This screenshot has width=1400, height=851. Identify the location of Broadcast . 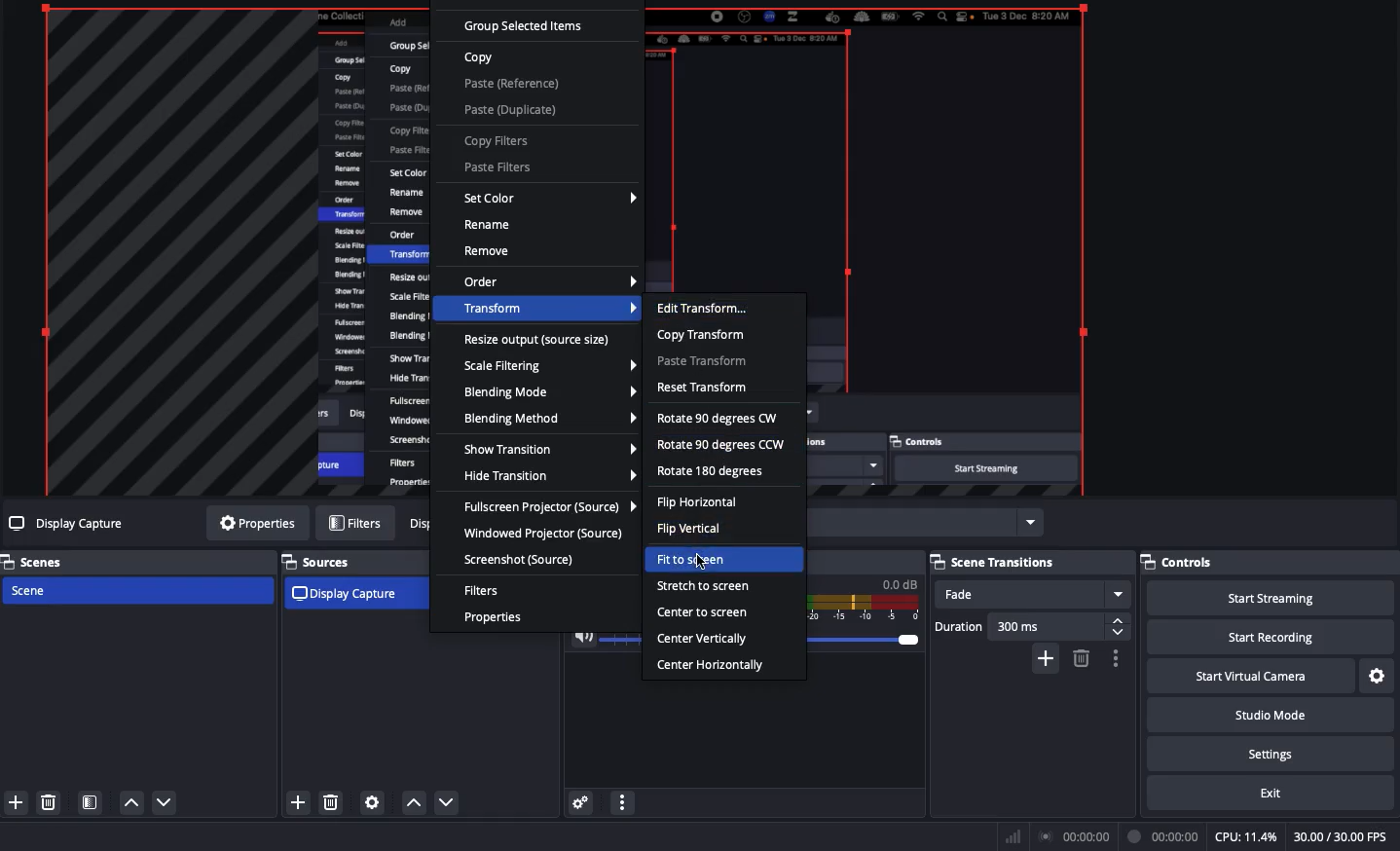
(1075, 836).